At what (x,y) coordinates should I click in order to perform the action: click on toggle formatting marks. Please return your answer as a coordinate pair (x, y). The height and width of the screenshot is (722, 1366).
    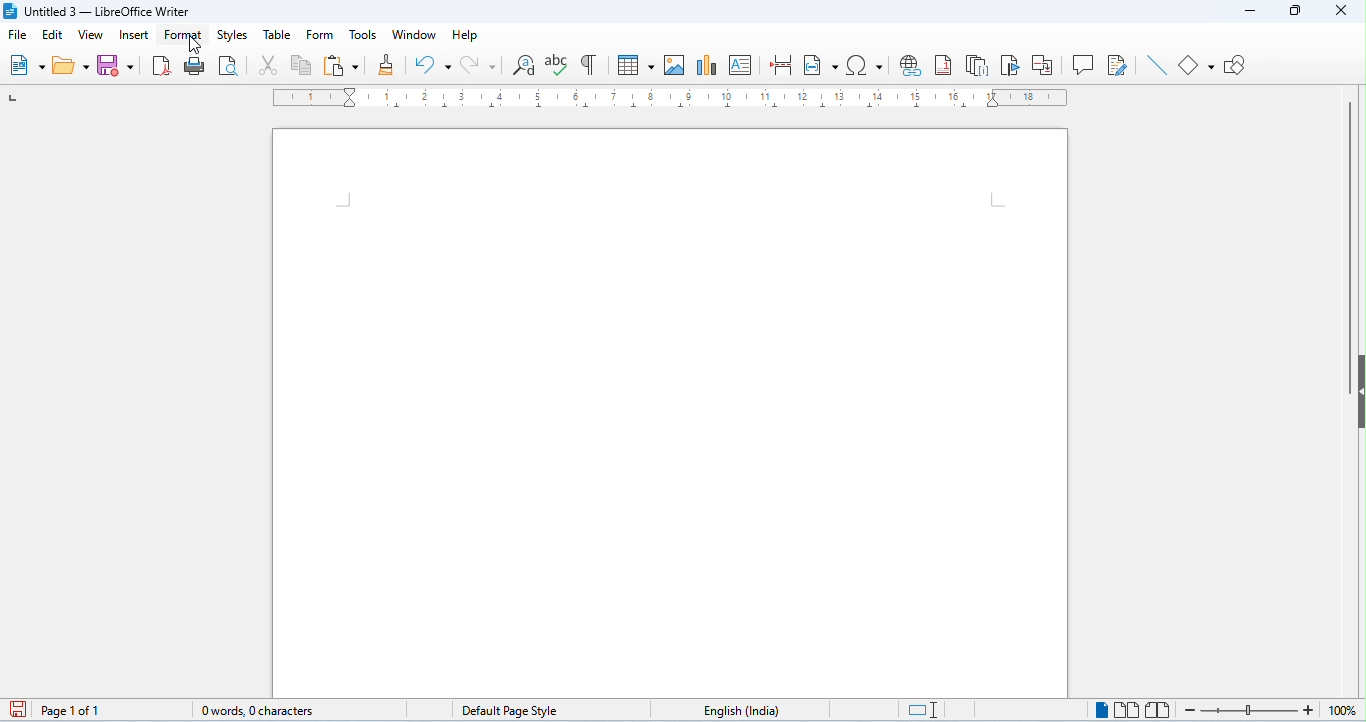
    Looking at the image, I should click on (588, 63).